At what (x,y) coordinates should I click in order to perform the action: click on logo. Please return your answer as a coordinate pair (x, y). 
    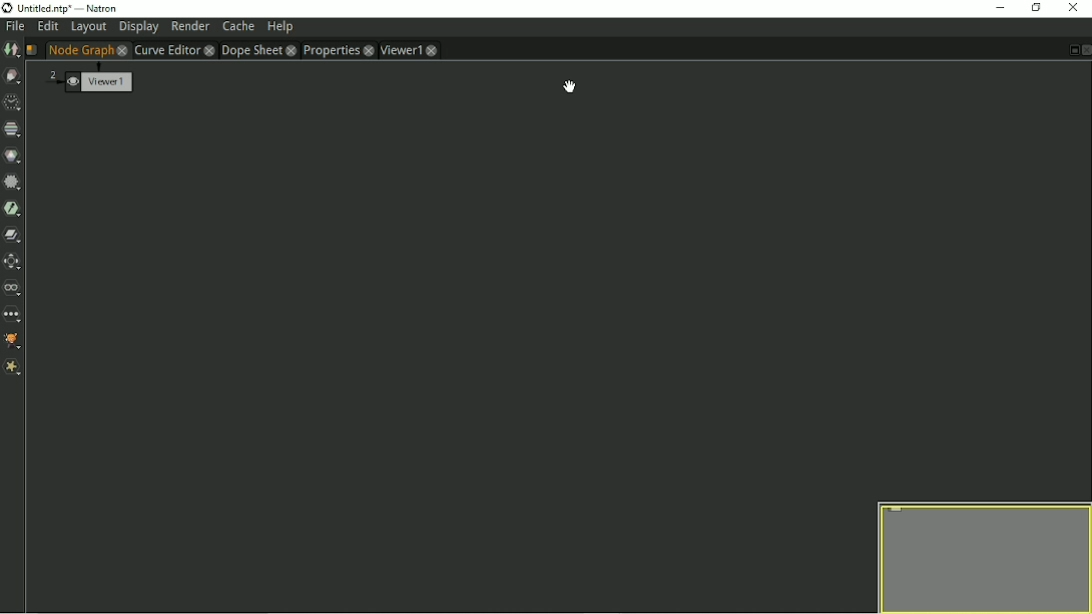
    Looking at the image, I should click on (7, 9).